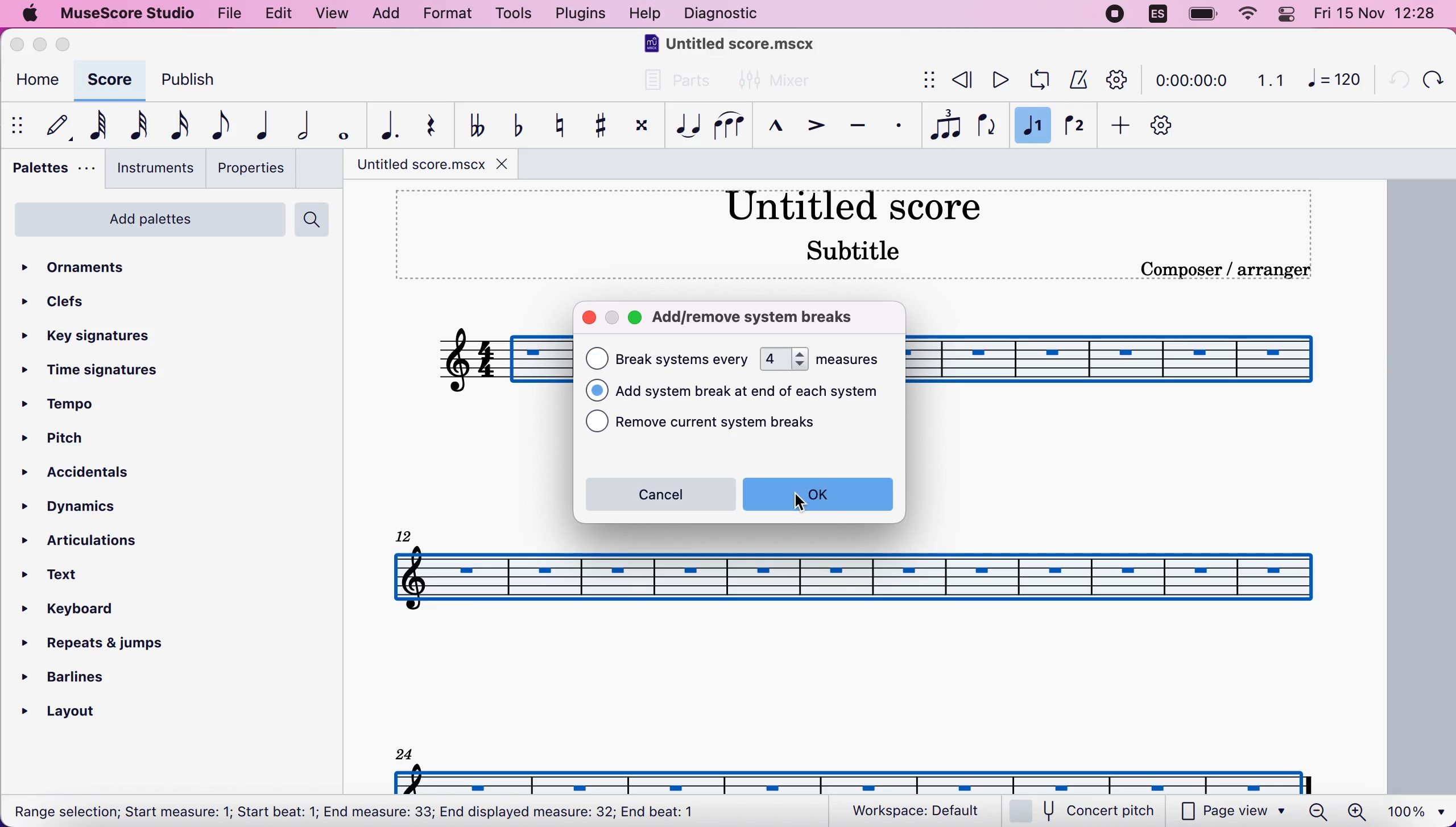  What do you see at coordinates (89, 539) in the screenshot?
I see `articulations` at bounding box center [89, 539].